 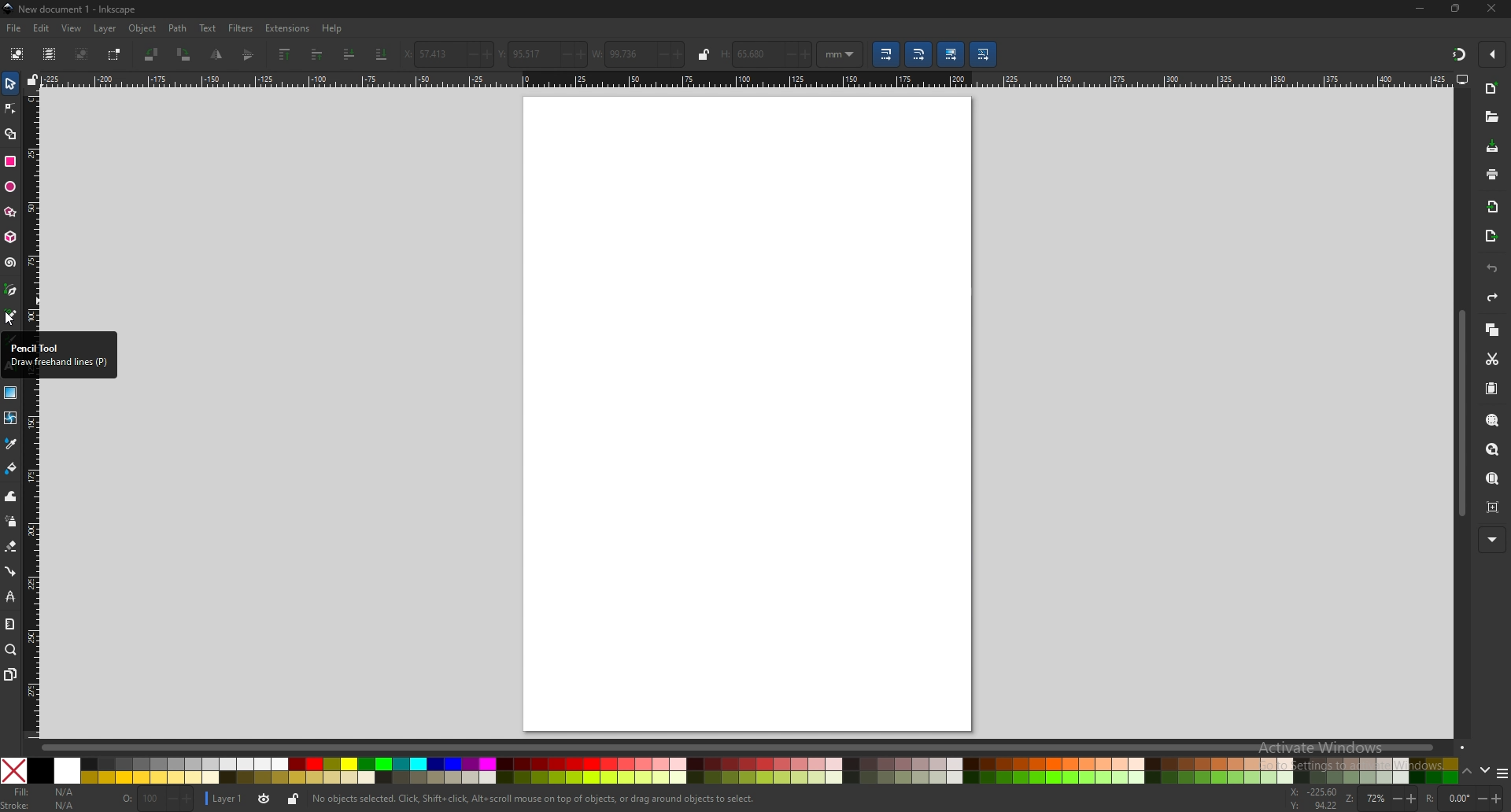 I want to click on enable snapping, so click(x=1491, y=54).